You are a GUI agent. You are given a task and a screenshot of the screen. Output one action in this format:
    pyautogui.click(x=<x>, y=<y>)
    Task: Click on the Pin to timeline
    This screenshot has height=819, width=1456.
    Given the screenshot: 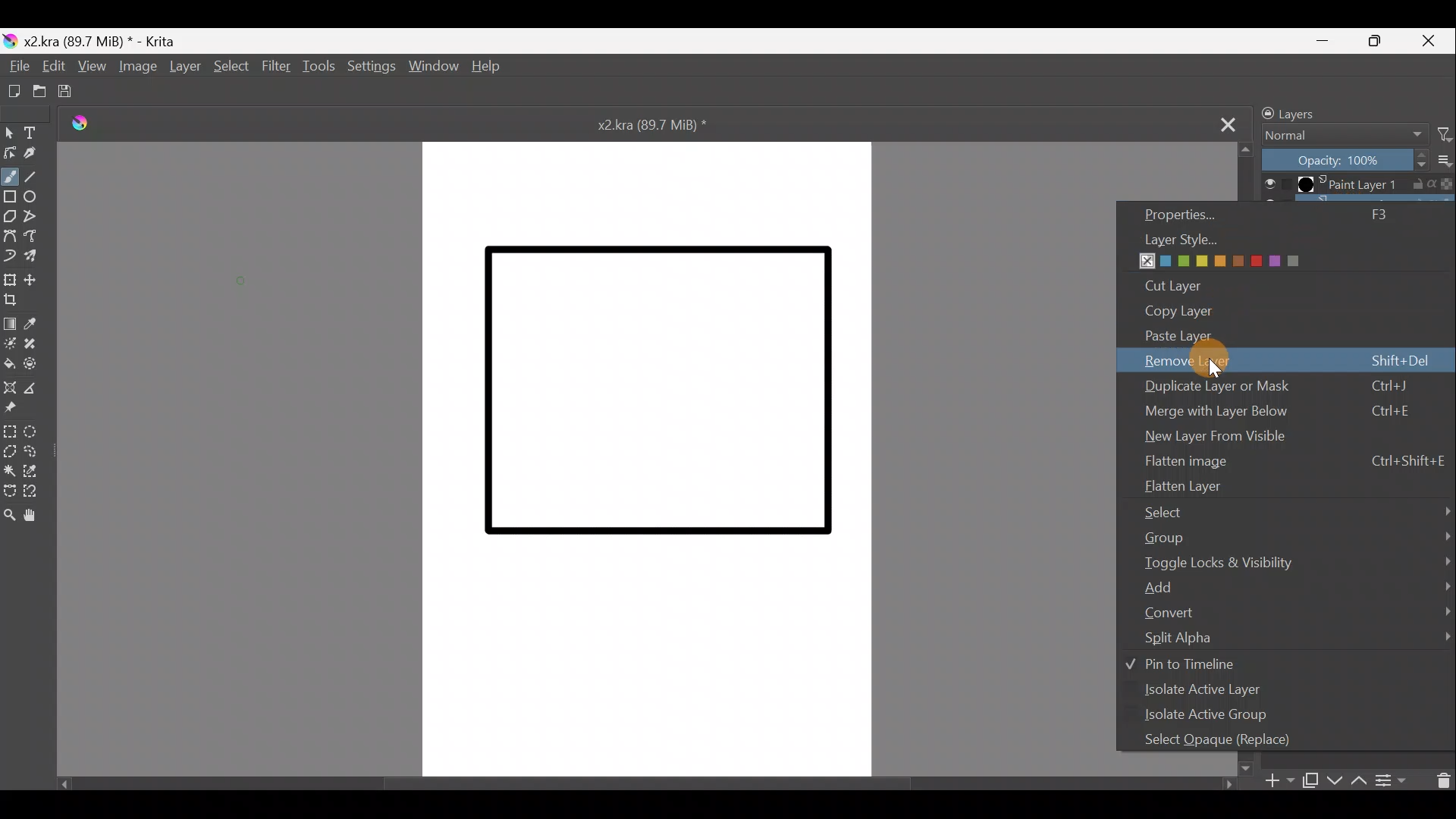 What is the action you would take?
    pyautogui.click(x=1197, y=664)
    